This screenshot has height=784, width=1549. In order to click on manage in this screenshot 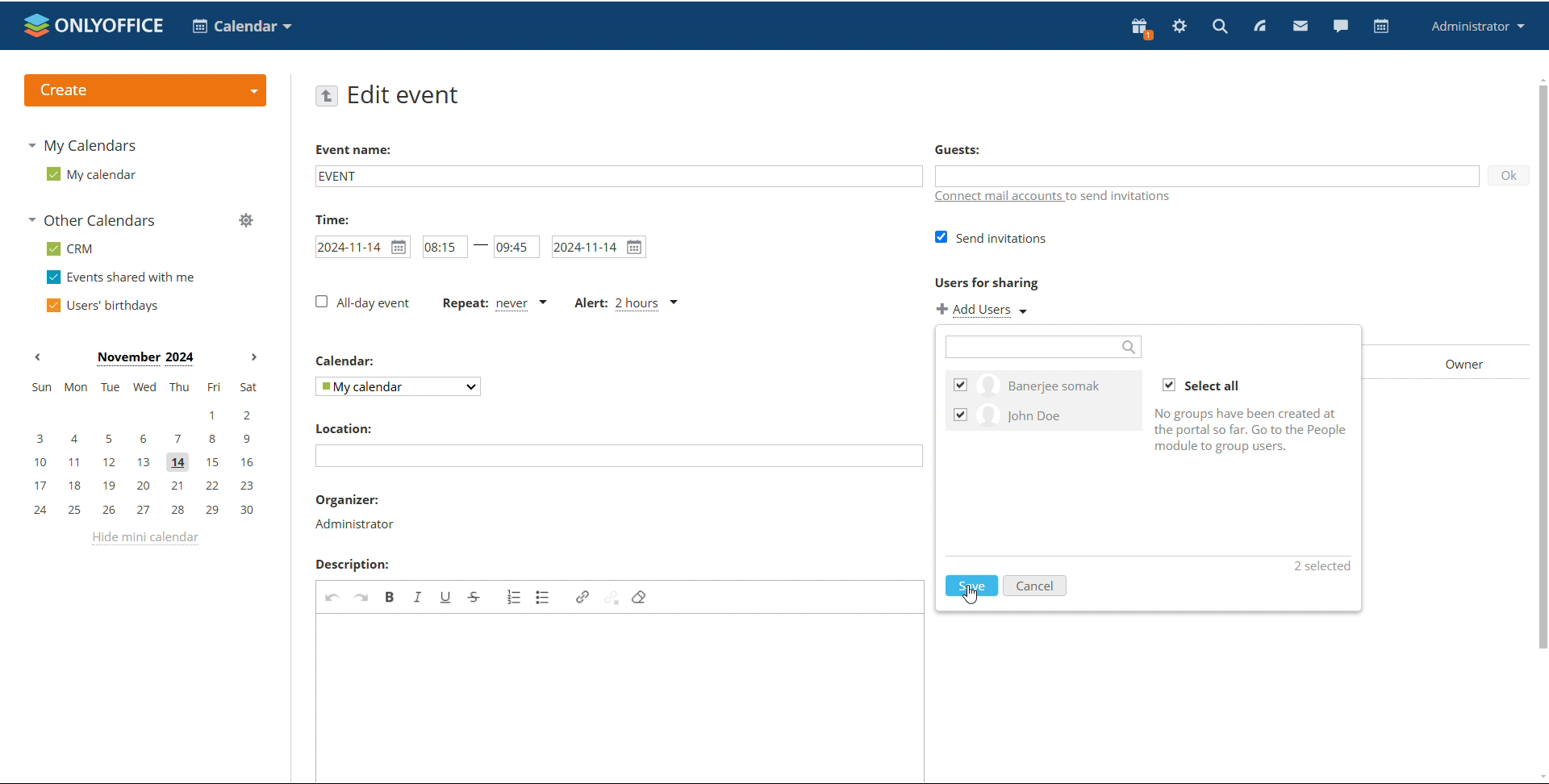, I will do `click(246, 220)`.